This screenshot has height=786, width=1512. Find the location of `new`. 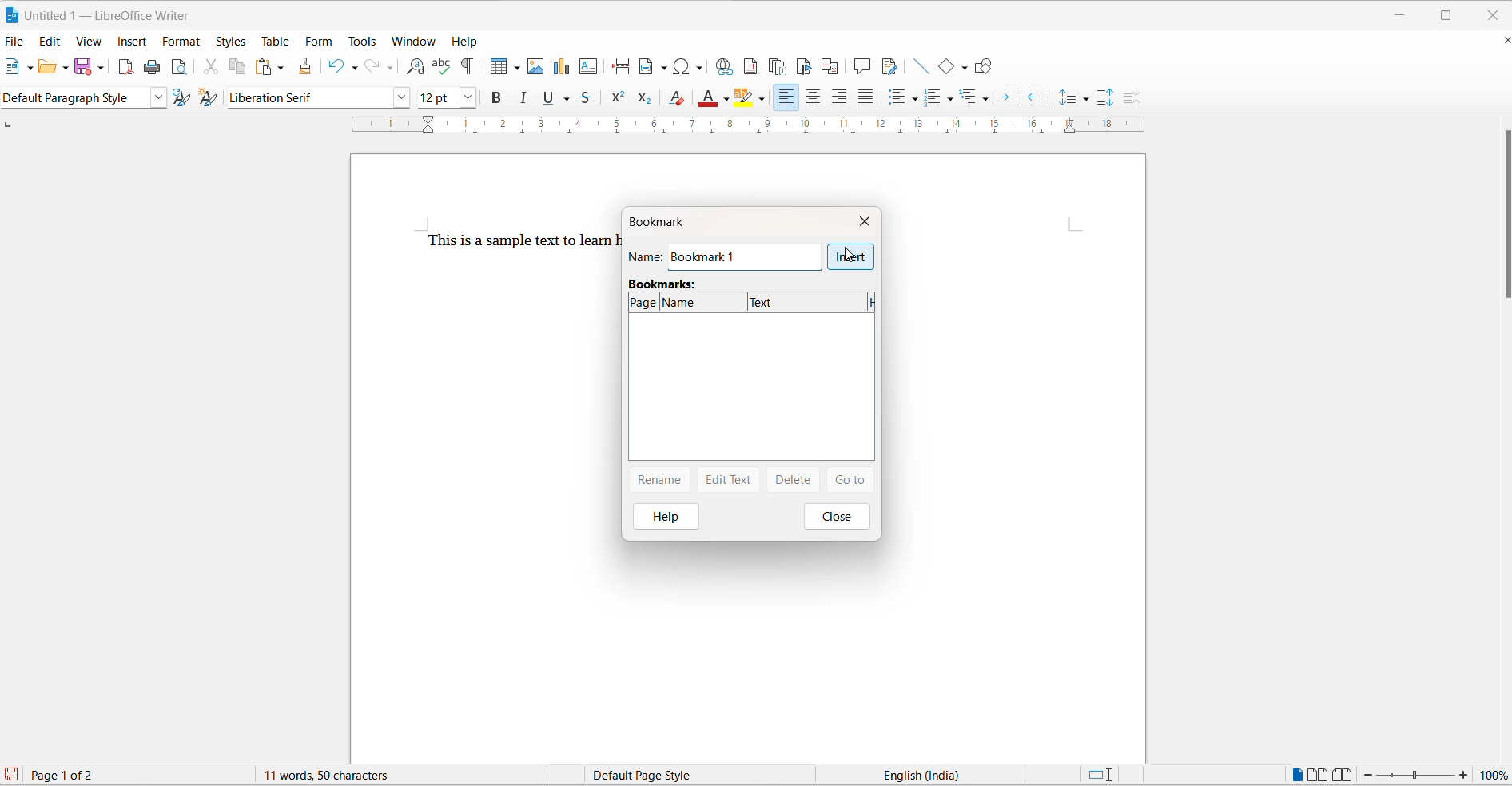

new is located at coordinates (14, 67).